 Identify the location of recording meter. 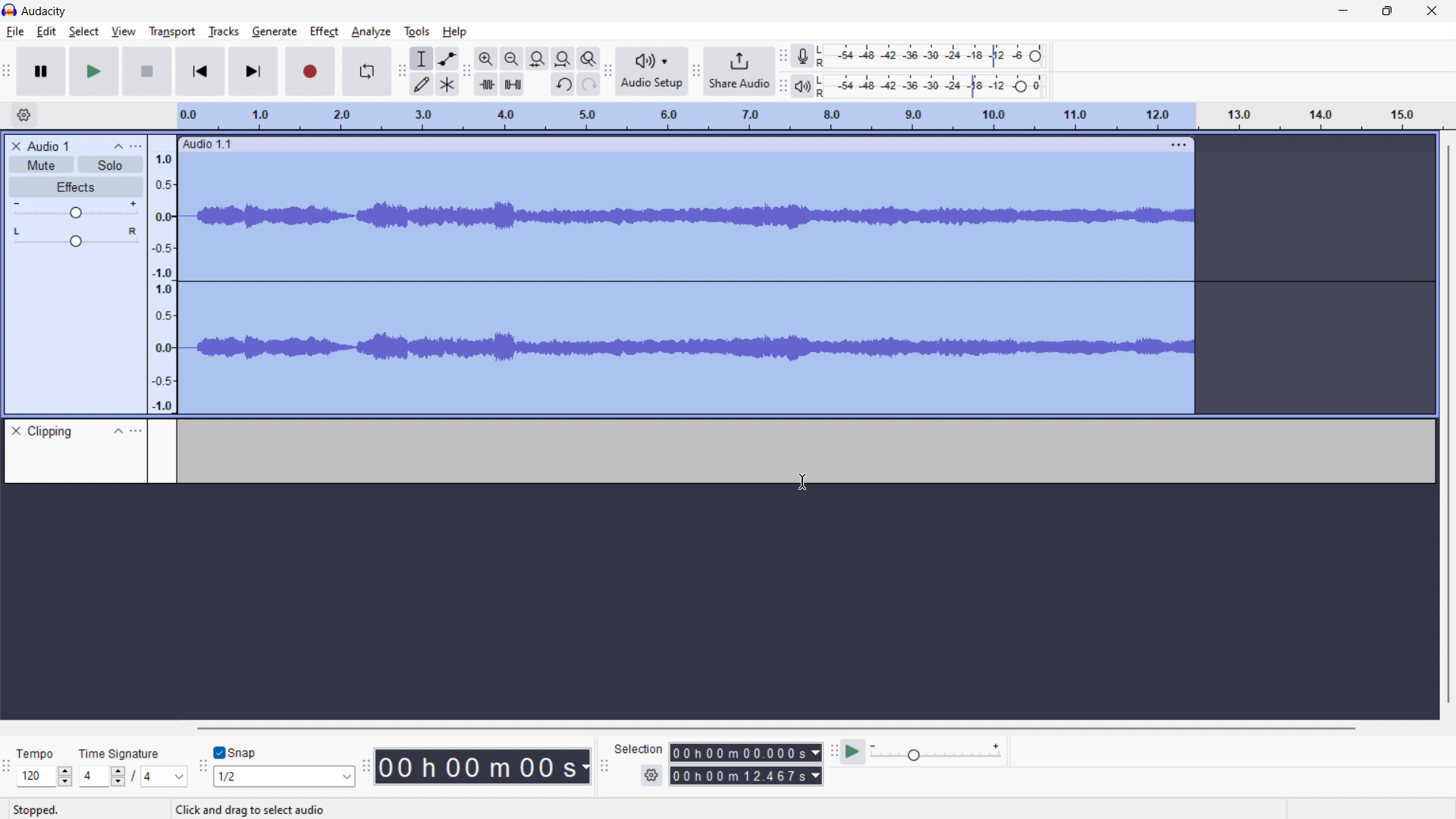
(802, 56).